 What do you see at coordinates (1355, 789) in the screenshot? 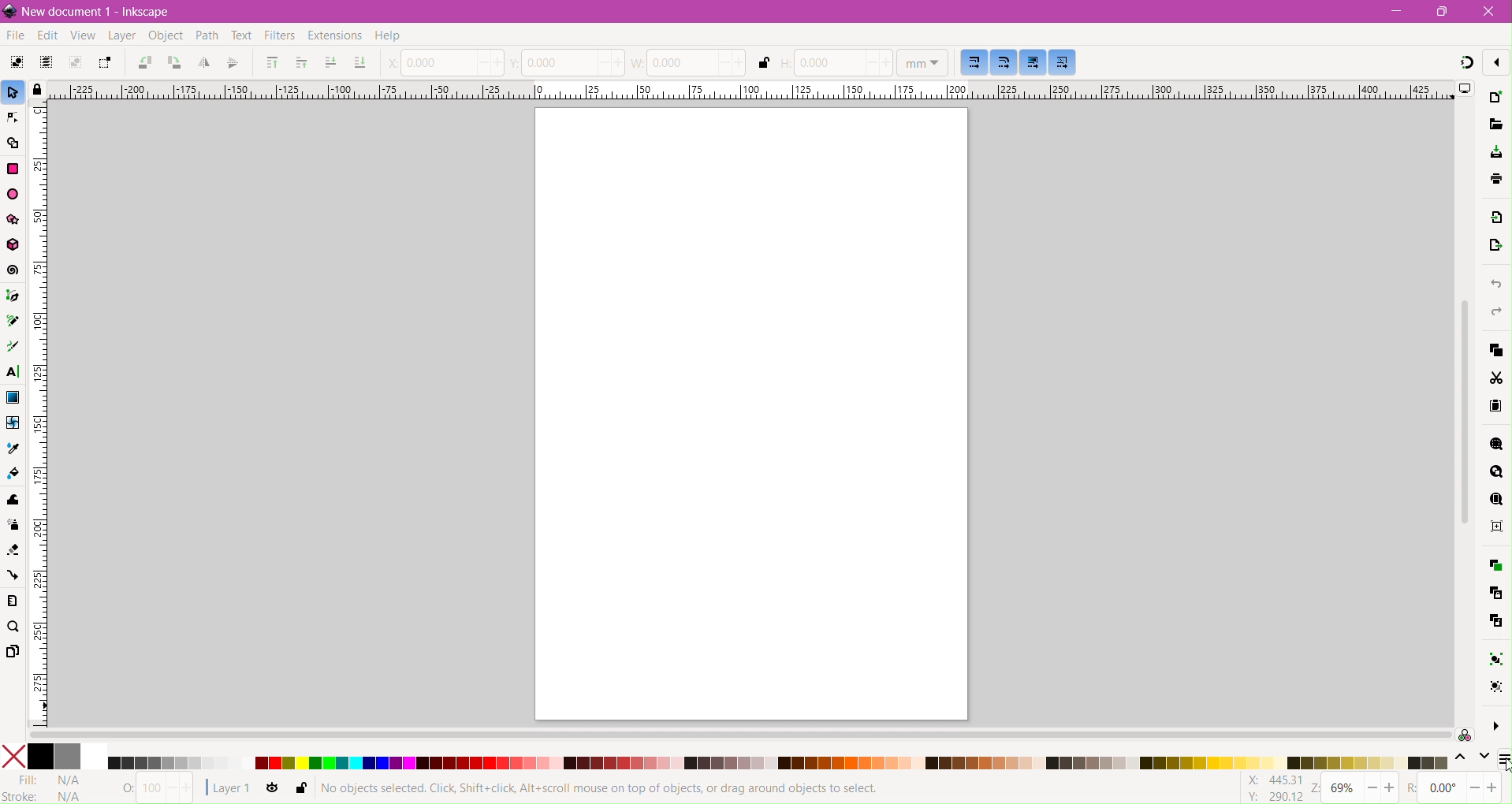
I see `Zoom` at bounding box center [1355, 789].